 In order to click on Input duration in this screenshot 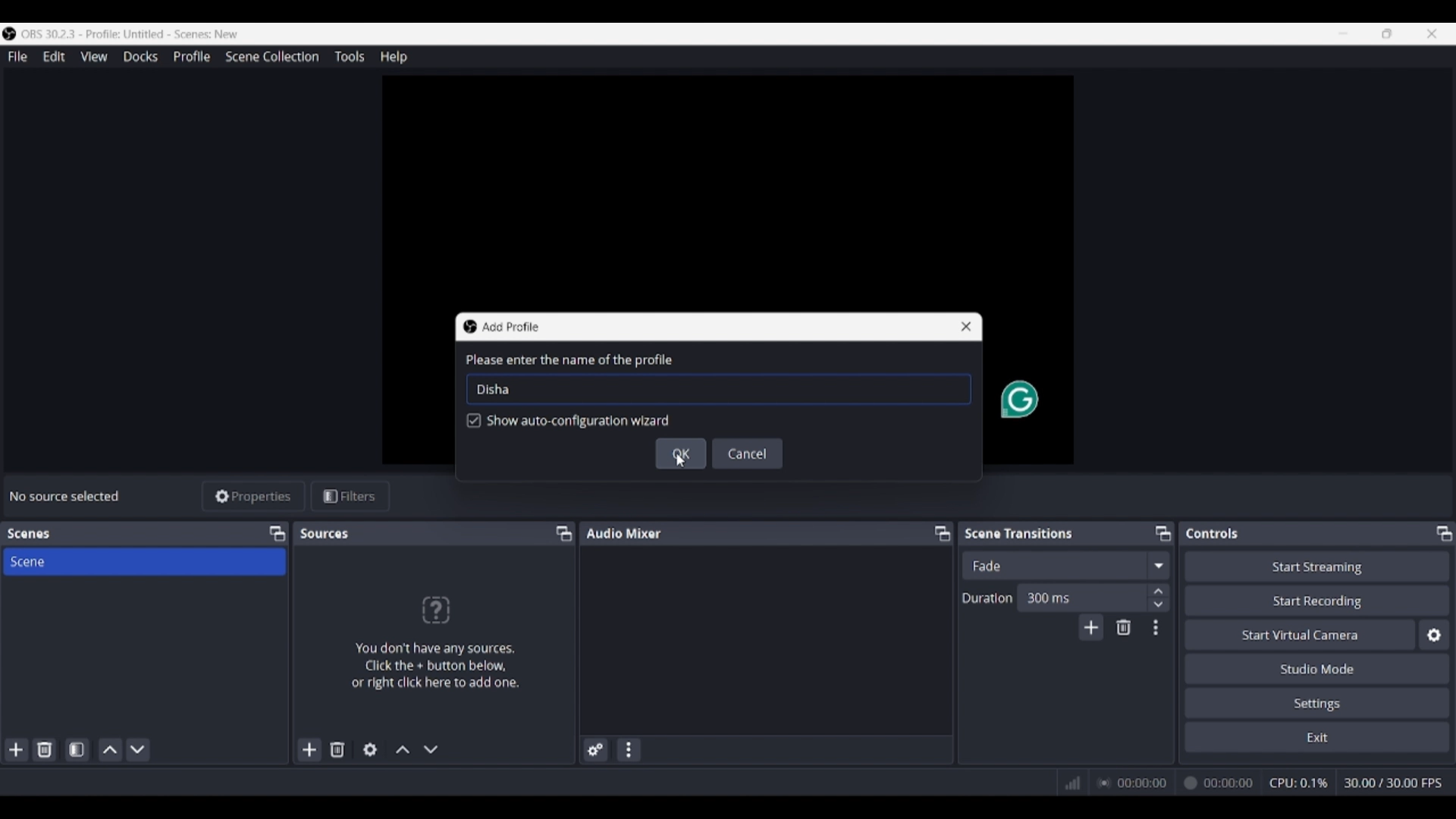, I will do `click(1081, 597)`.